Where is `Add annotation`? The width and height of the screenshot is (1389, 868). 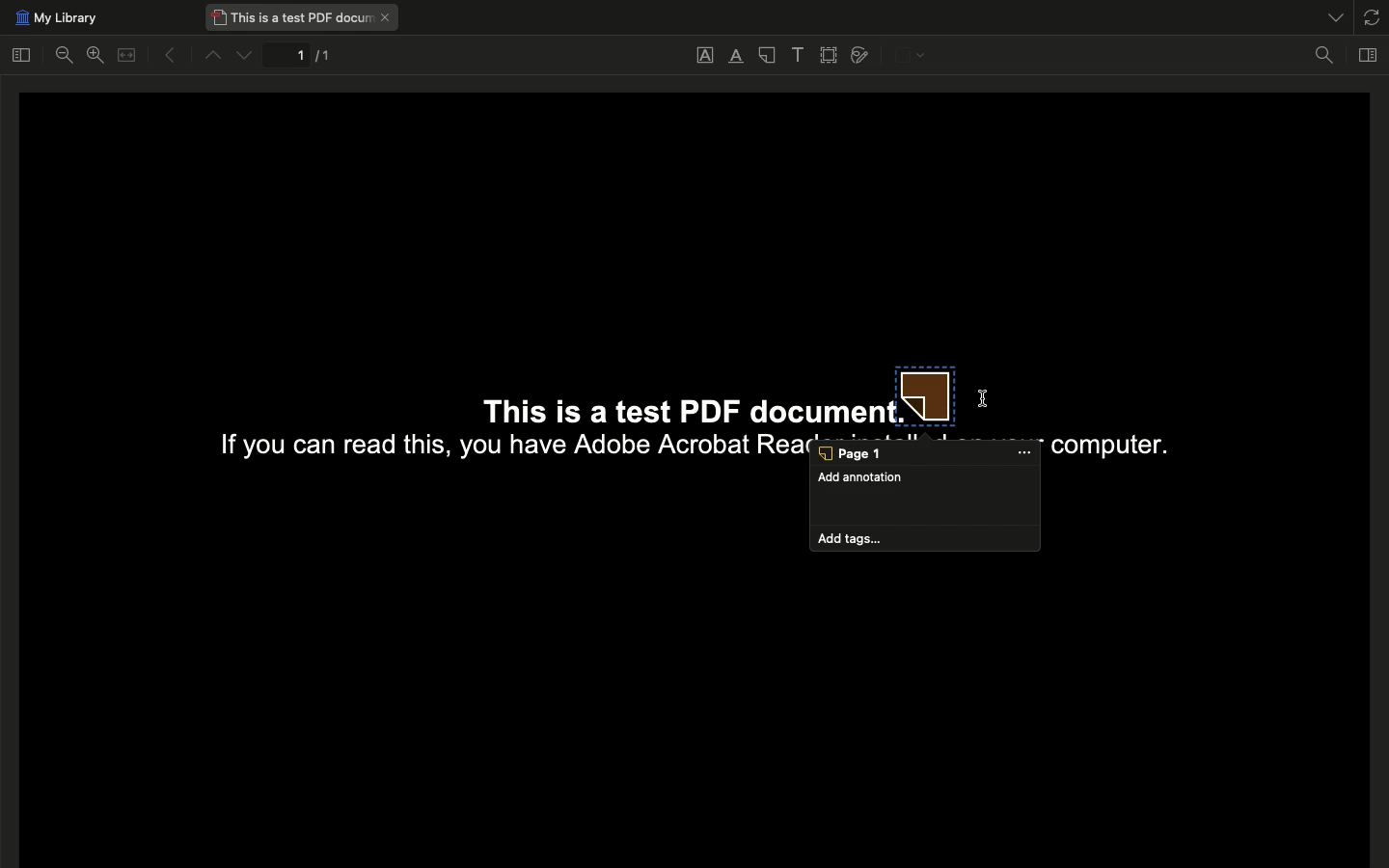
Add annotation is located at coordinates (887, 482).